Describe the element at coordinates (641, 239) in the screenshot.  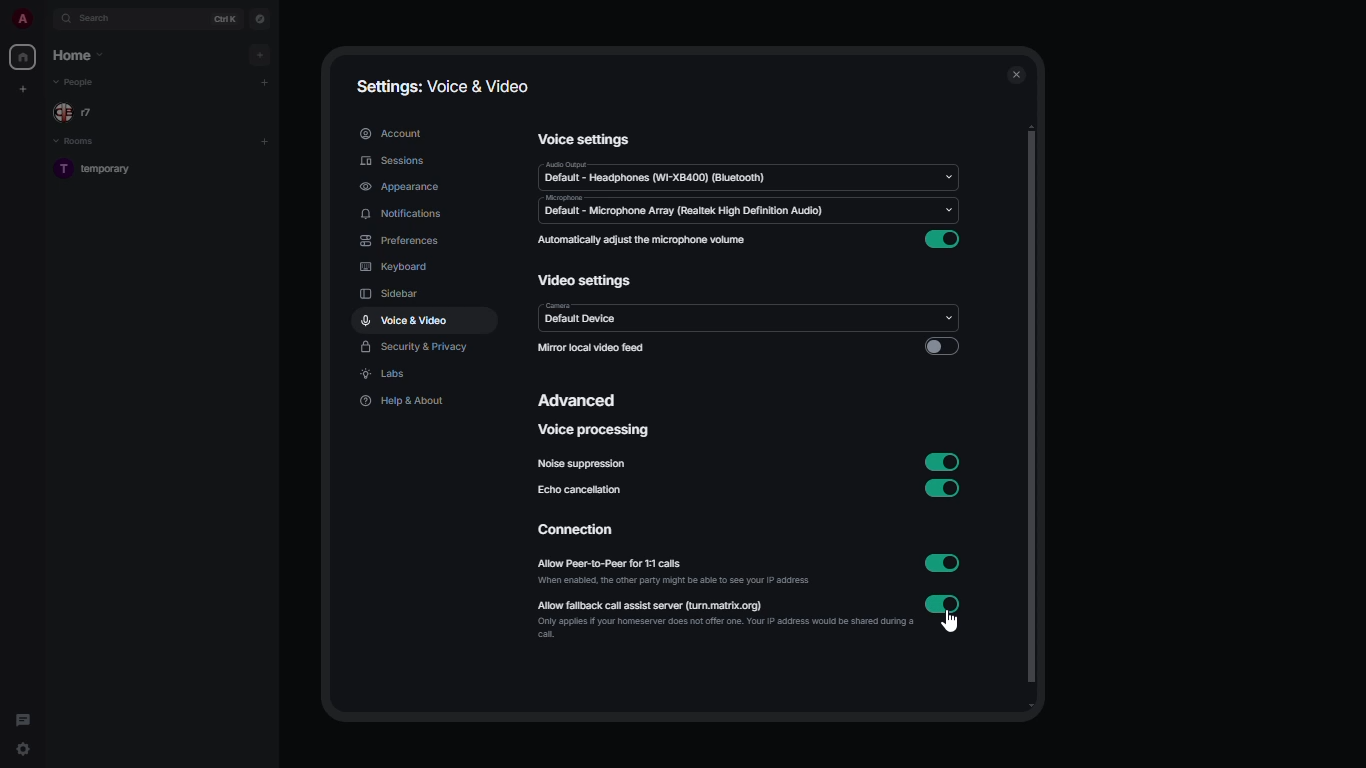
I see `automatically adjust the microphone volume` at that location.